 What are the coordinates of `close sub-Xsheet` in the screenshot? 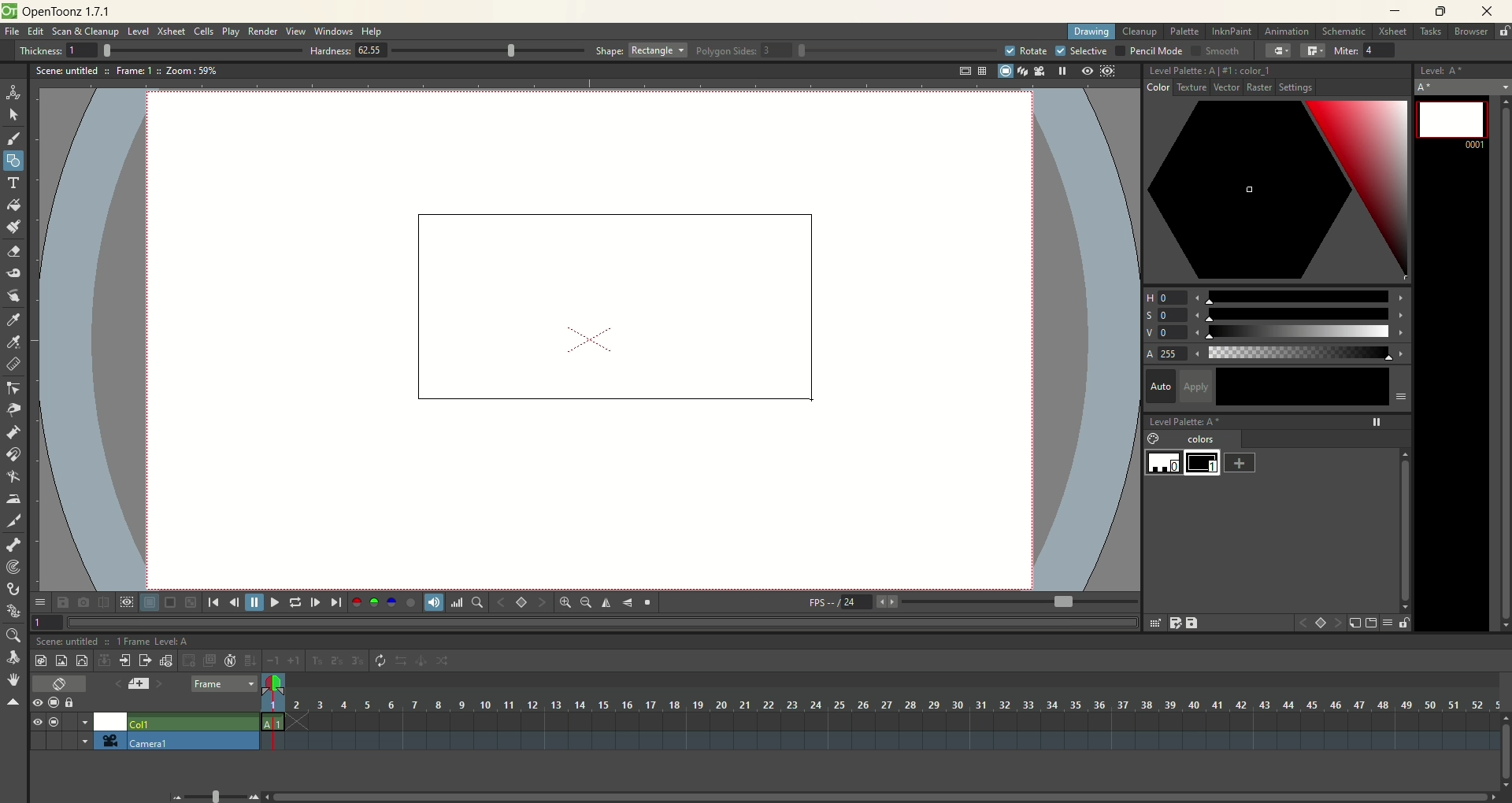 It's located at (146, 661).